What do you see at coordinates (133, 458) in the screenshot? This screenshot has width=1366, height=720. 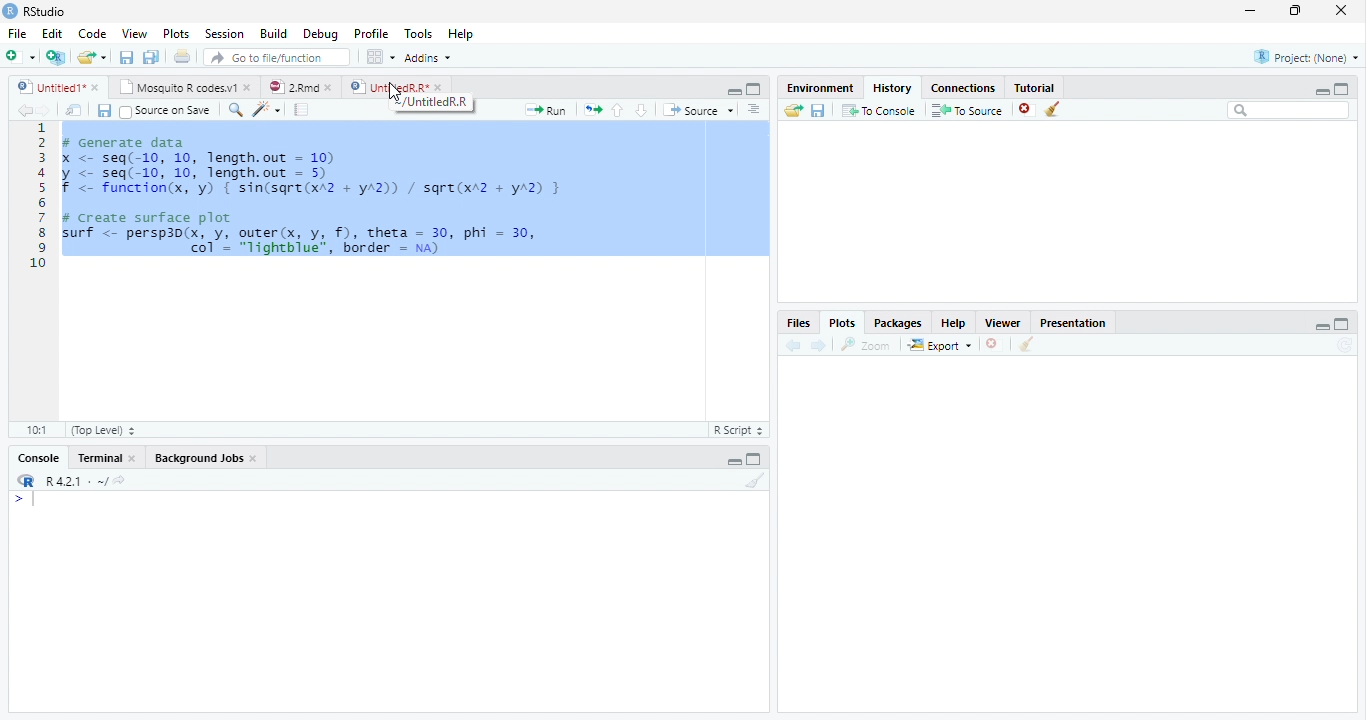 I see `Close` at bounding box center [133, 458].